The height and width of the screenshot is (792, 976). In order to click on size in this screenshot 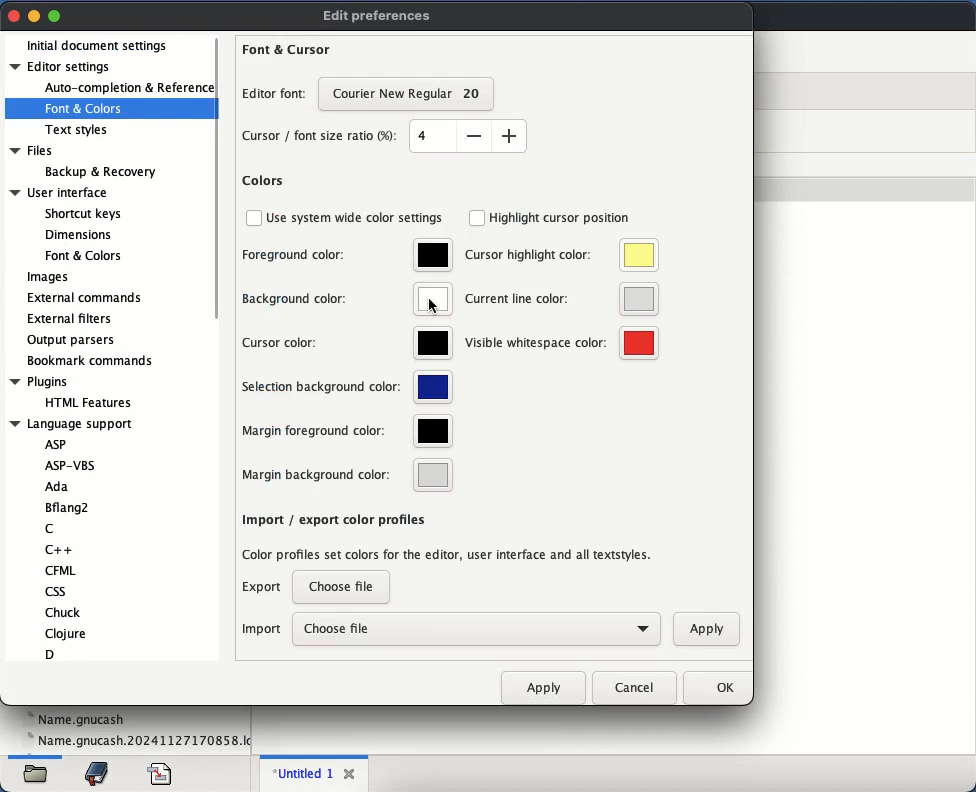, I will do `click(469, 135)`.